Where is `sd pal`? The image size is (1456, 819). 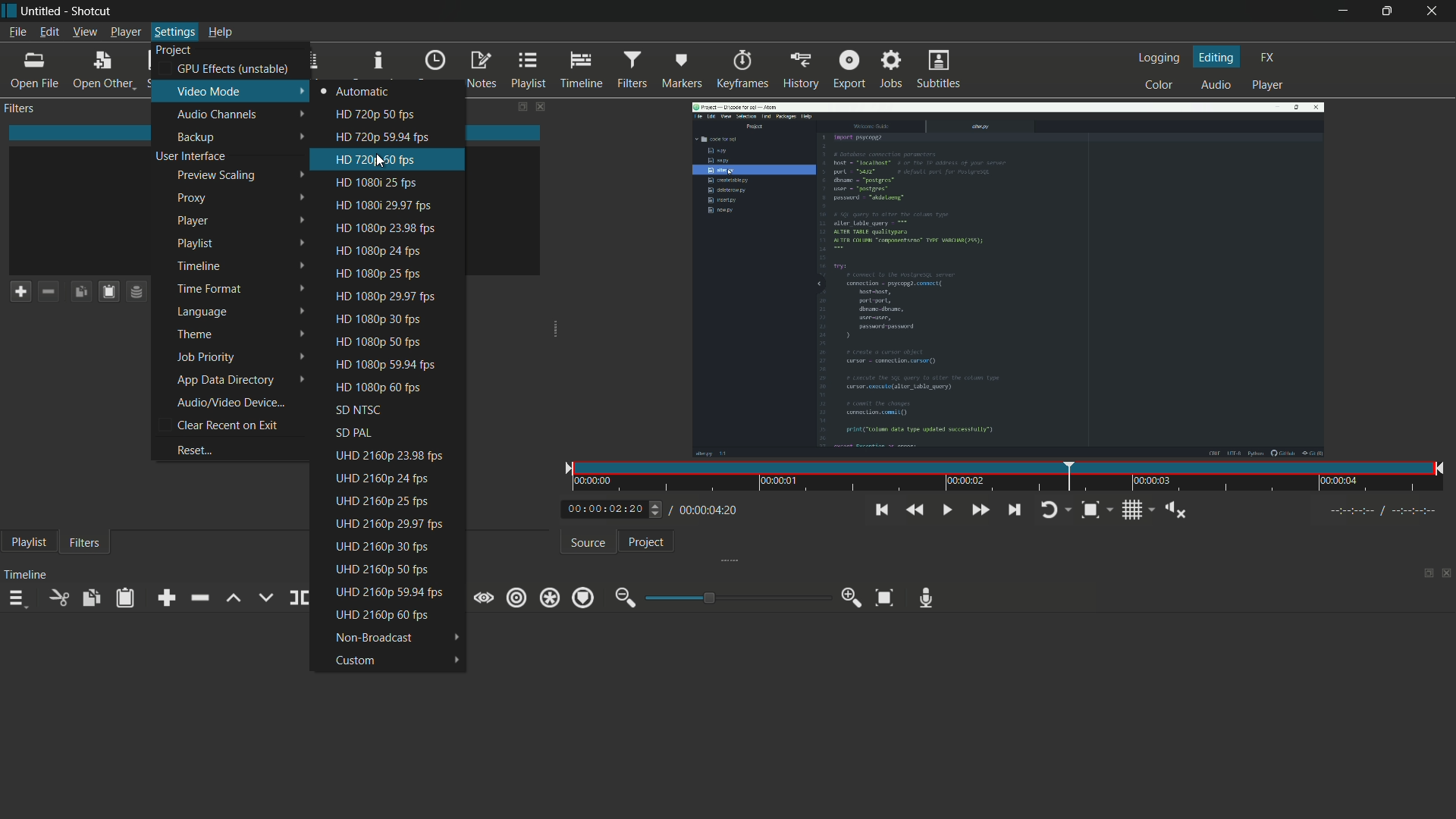
sd pal is located at coordinates (388, 433).